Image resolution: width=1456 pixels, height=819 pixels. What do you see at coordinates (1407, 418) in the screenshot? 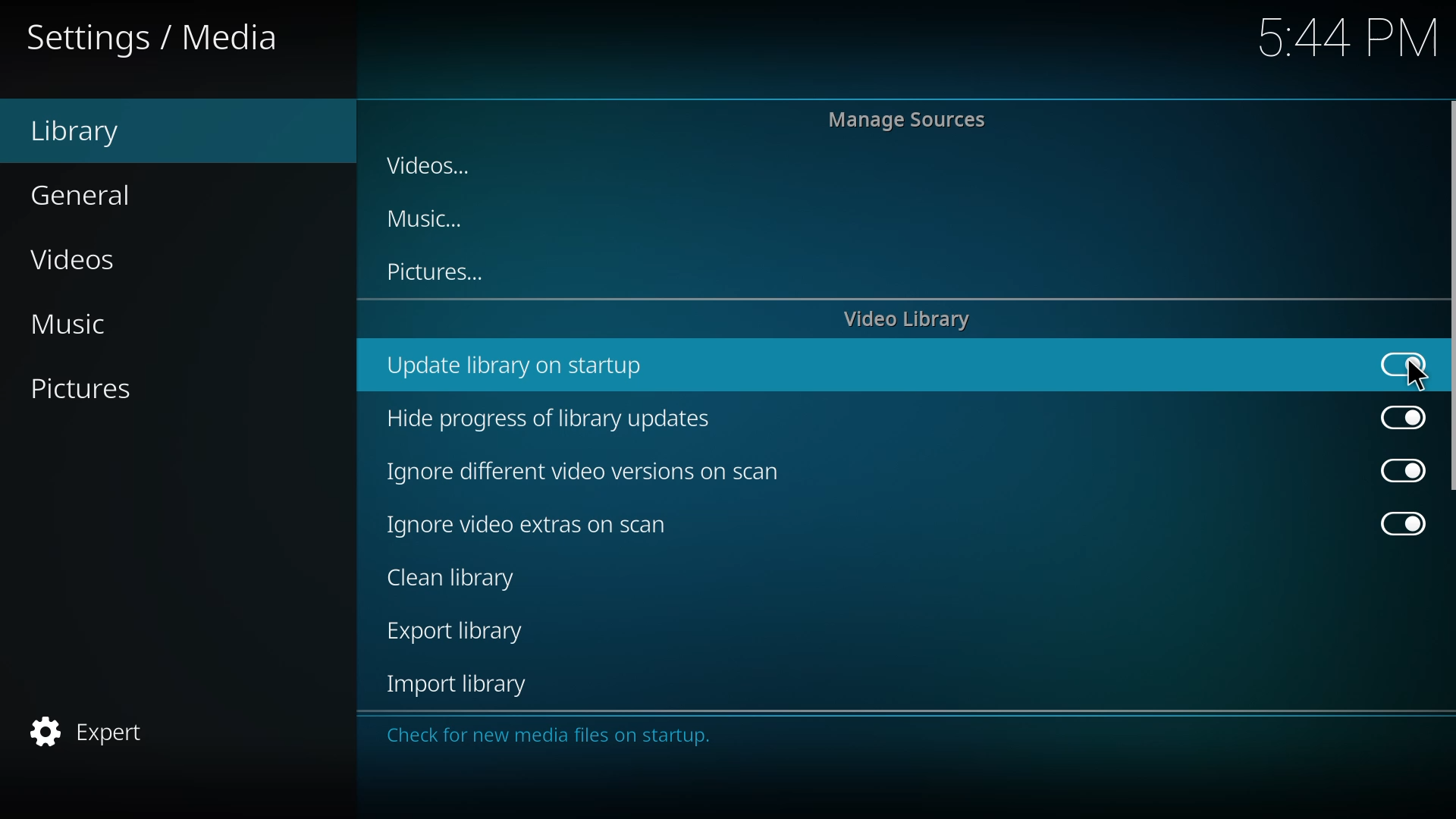
I see `enabled` at bounding box center [1407, 418].